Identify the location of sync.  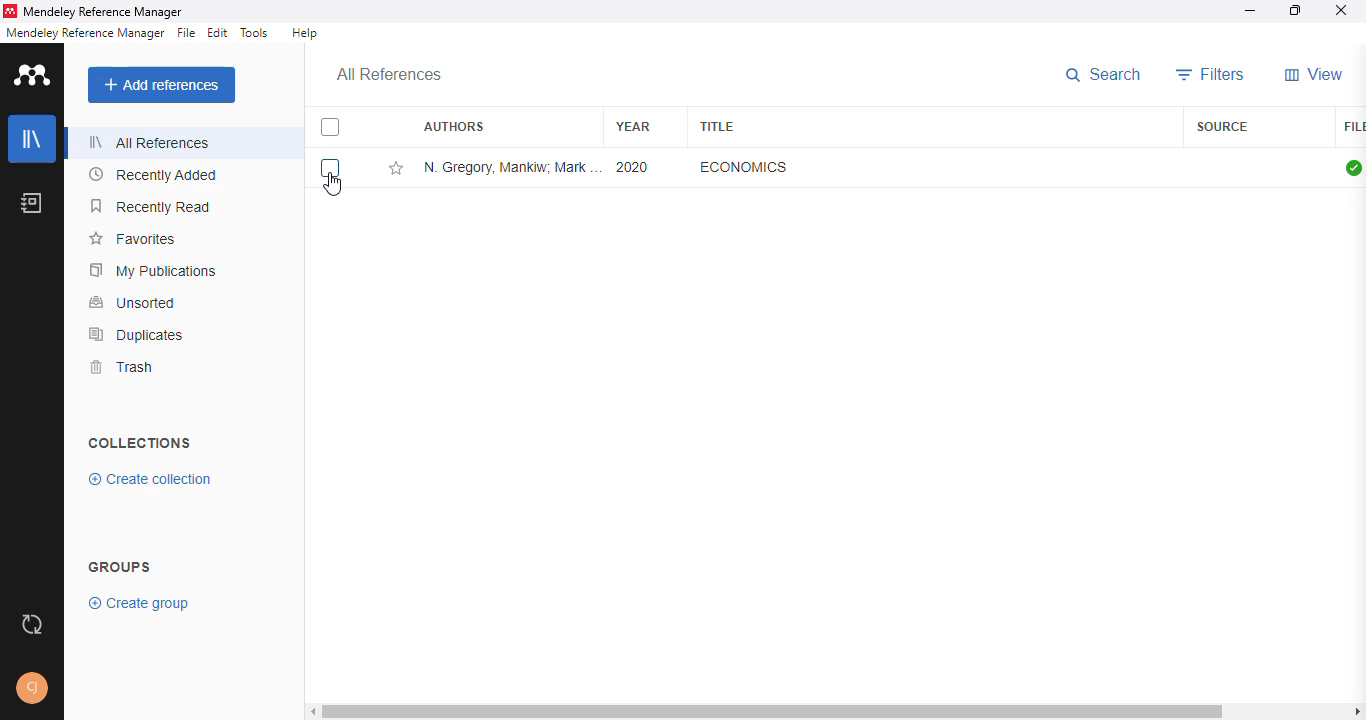
(32, 625).